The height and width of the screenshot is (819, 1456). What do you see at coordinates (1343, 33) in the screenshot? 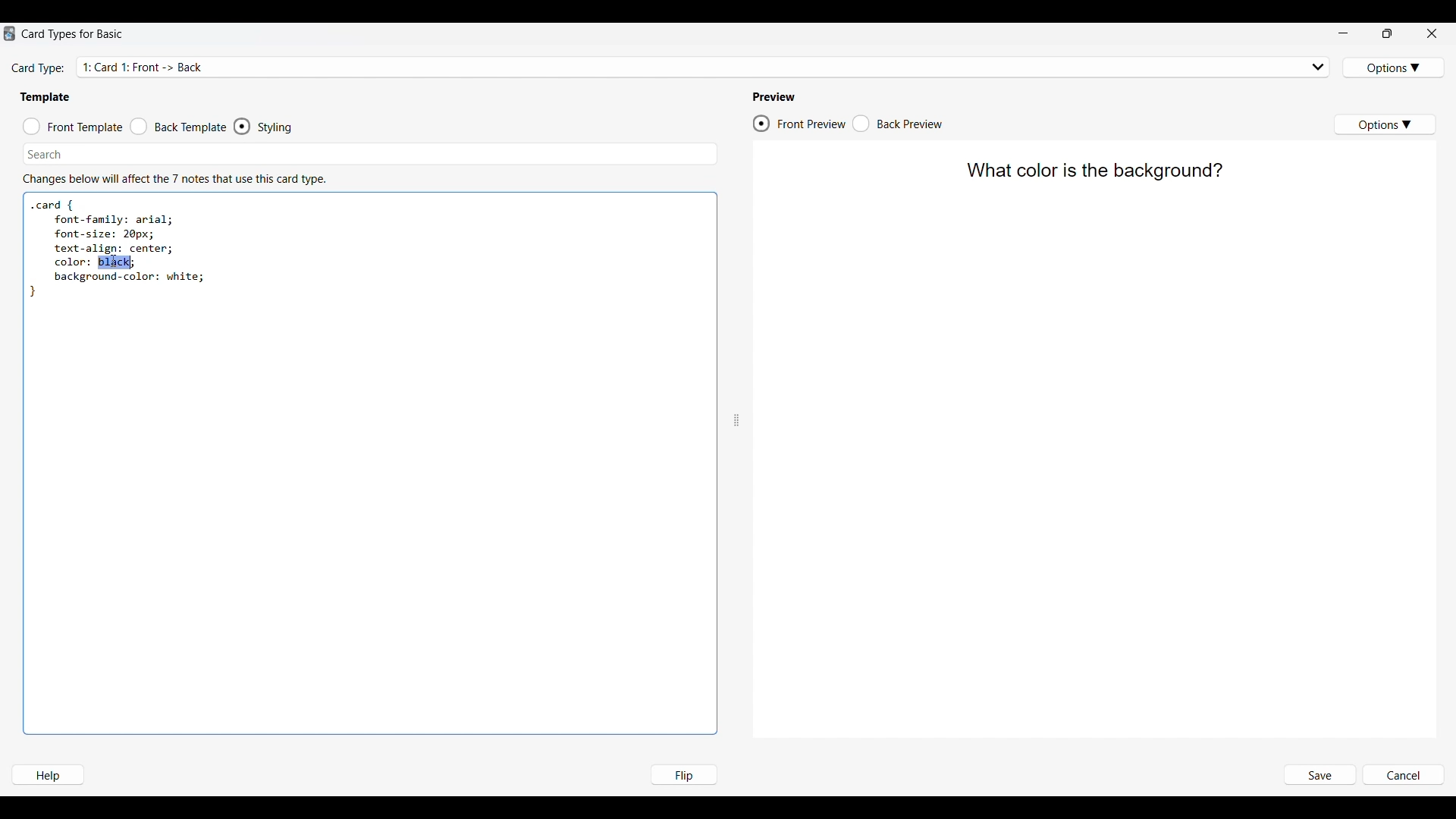
I see `Minimize` at bounding box center [1343, 33].